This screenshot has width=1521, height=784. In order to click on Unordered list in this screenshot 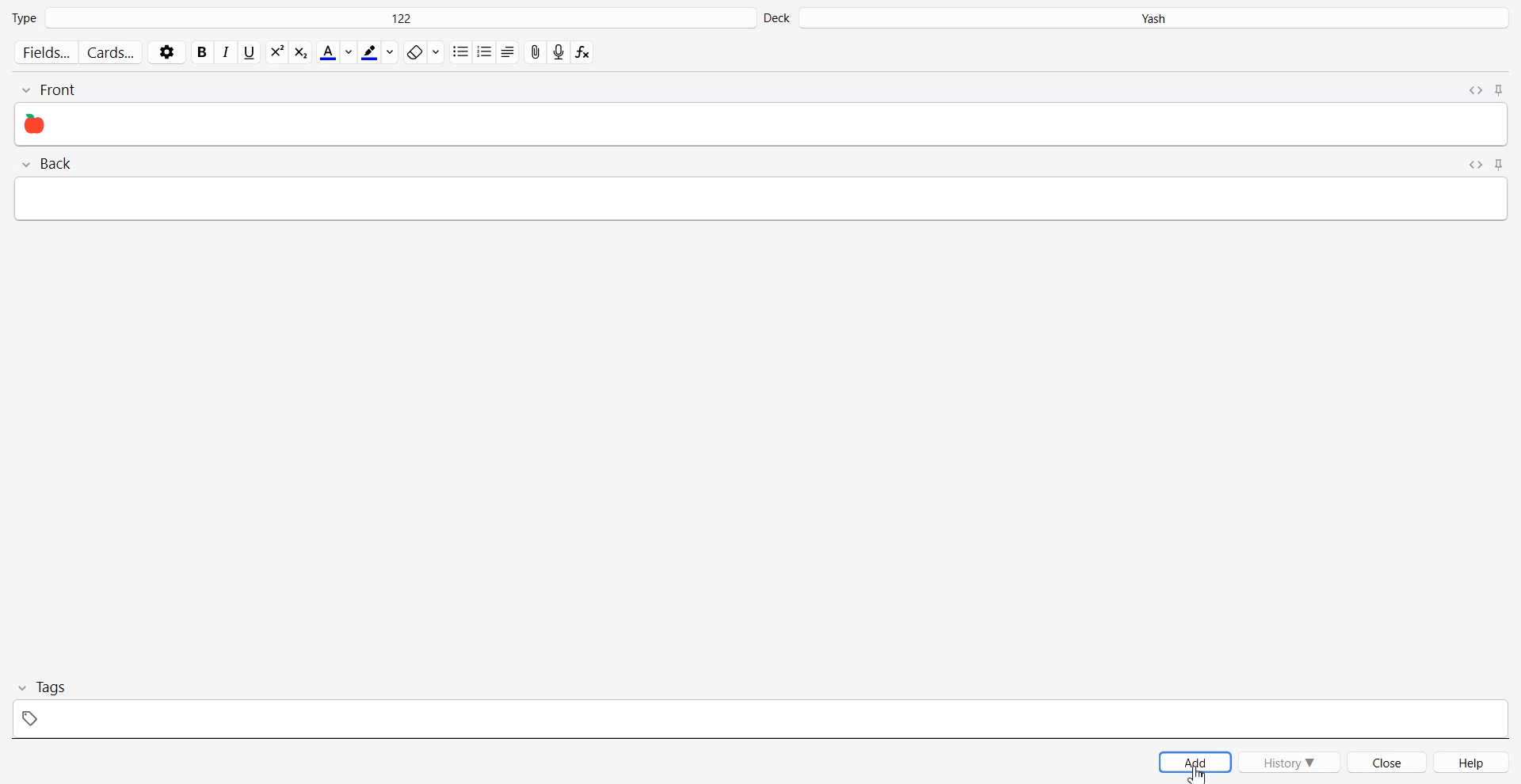, I will do `click(460, 51)`.